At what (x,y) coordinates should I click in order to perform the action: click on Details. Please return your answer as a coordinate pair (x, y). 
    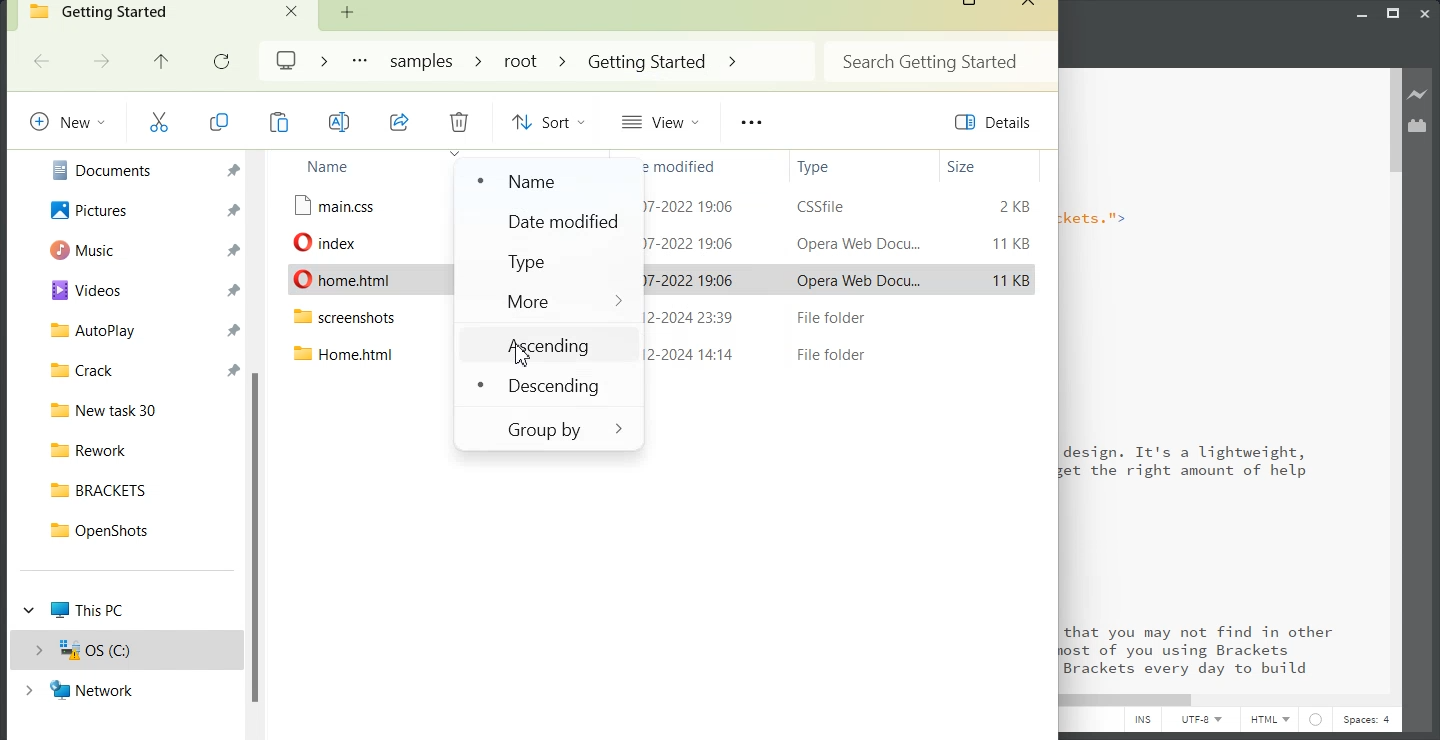
    Looking at the image, I should click on (993, 123).